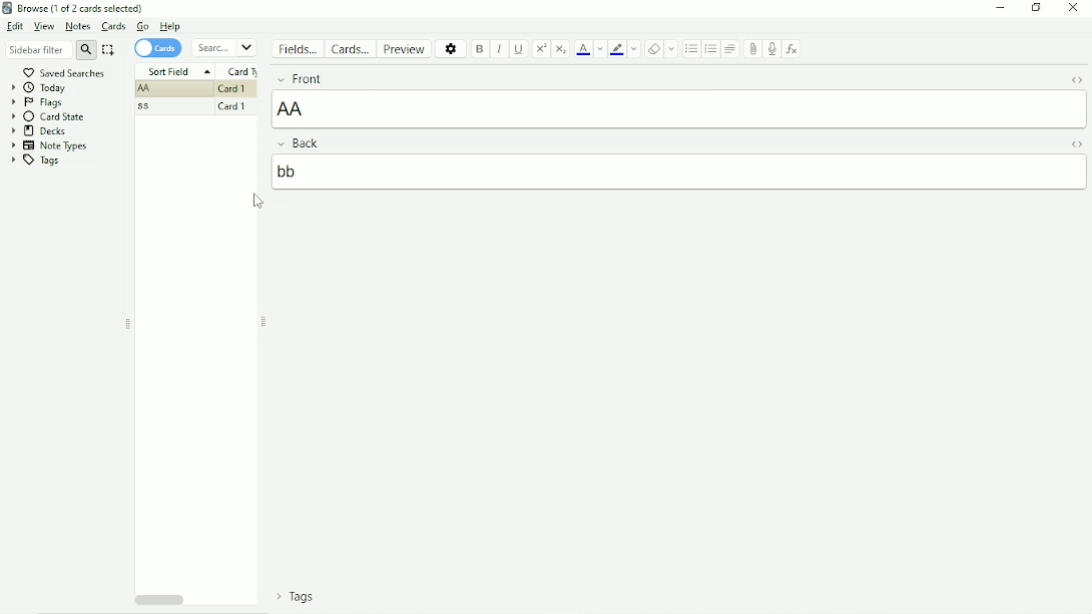 The width and height of the screenshot is (1092, 614). What do you see at coordinates (584, 49) in the screenshot?
I see `Text color` at bounding box center [584, 49].